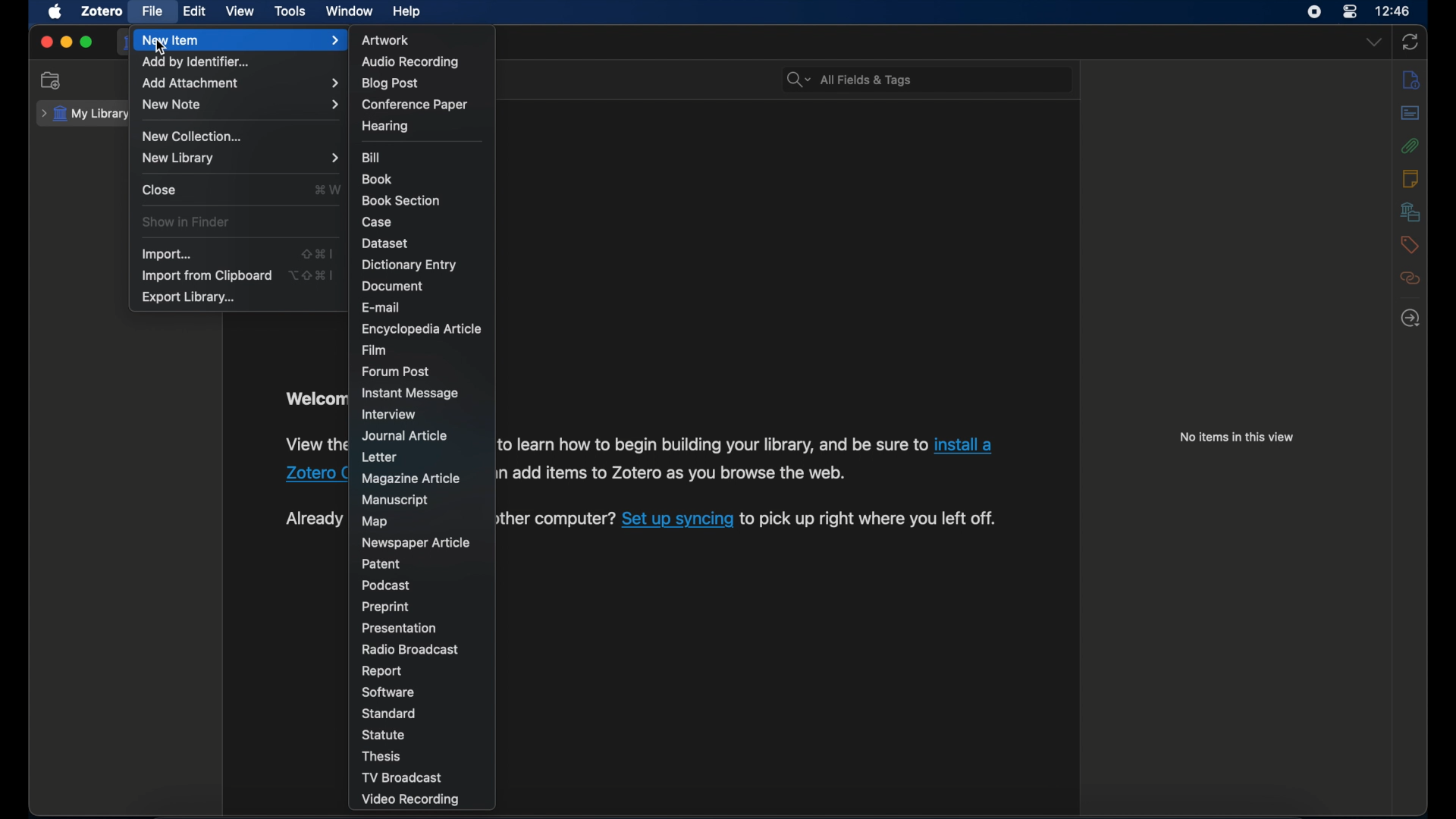 The height and width of the screenshot is (819, 1456). Describe the element at coordinates (240, 105) in the screenshot. I see `new note` at that location.